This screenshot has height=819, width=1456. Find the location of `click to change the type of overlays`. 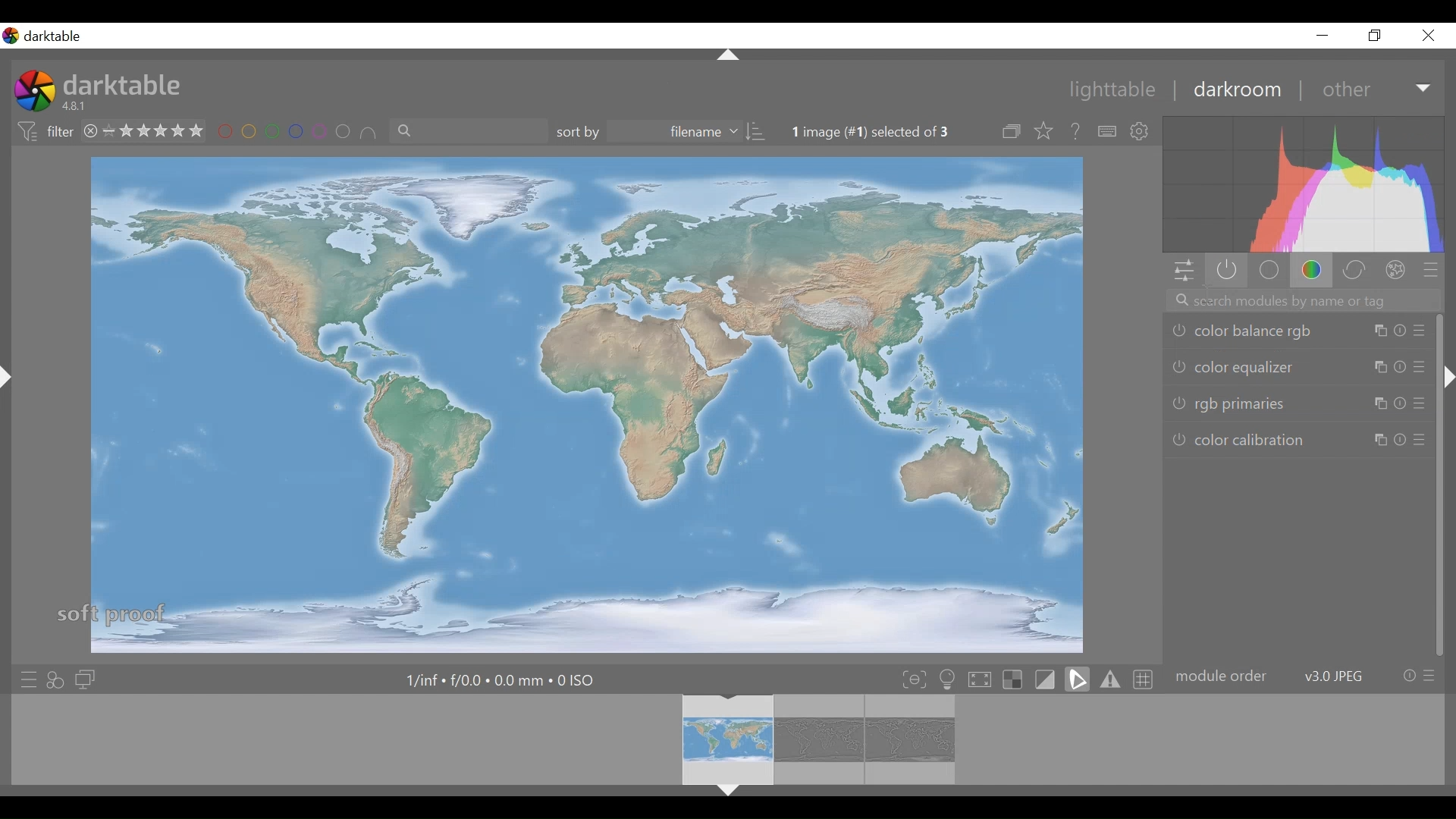

click to change the type of overlays is located at coordinates (1045, 132).